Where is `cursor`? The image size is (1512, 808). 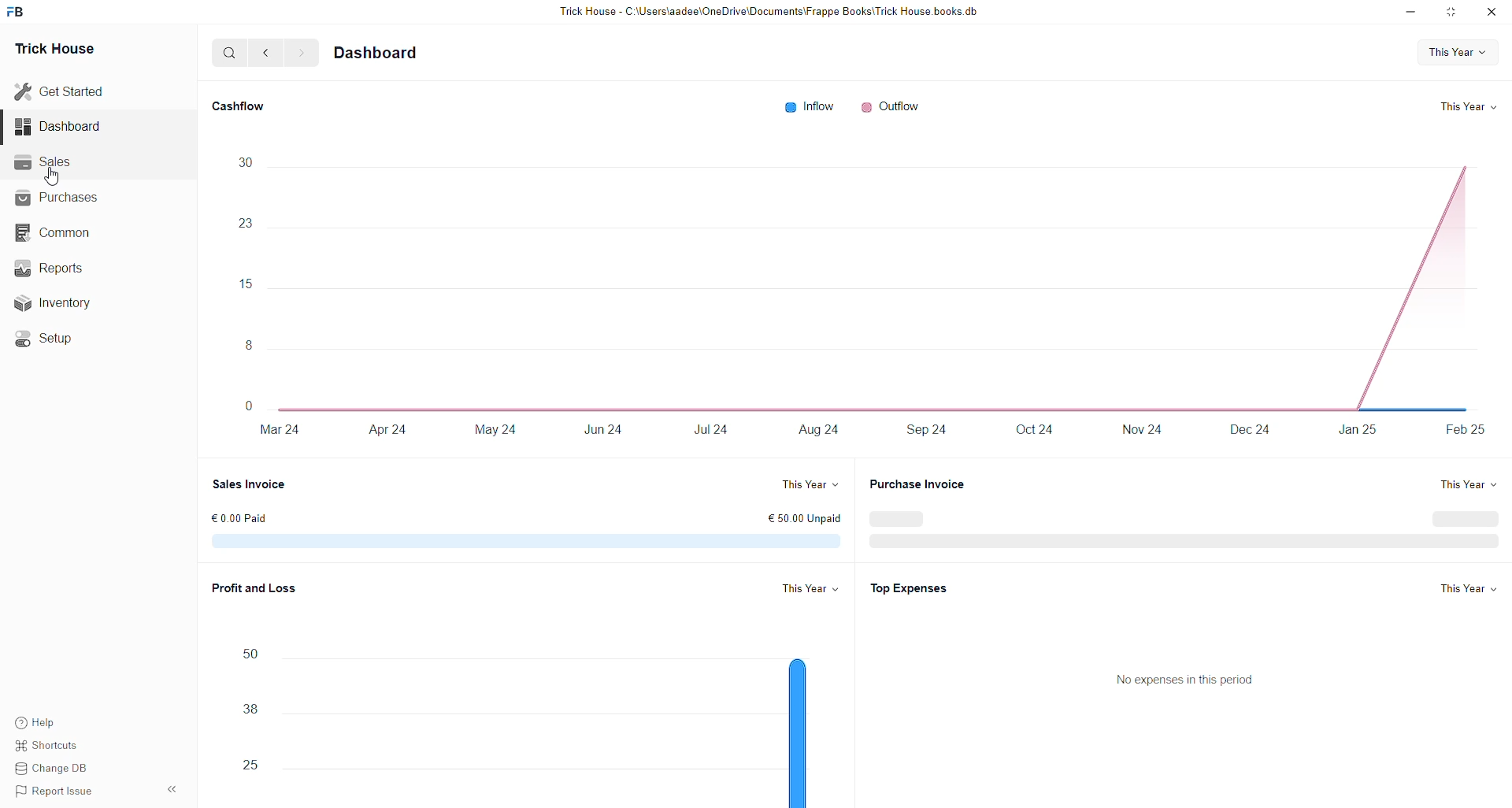
cursor is located at coordinates (54, 176).